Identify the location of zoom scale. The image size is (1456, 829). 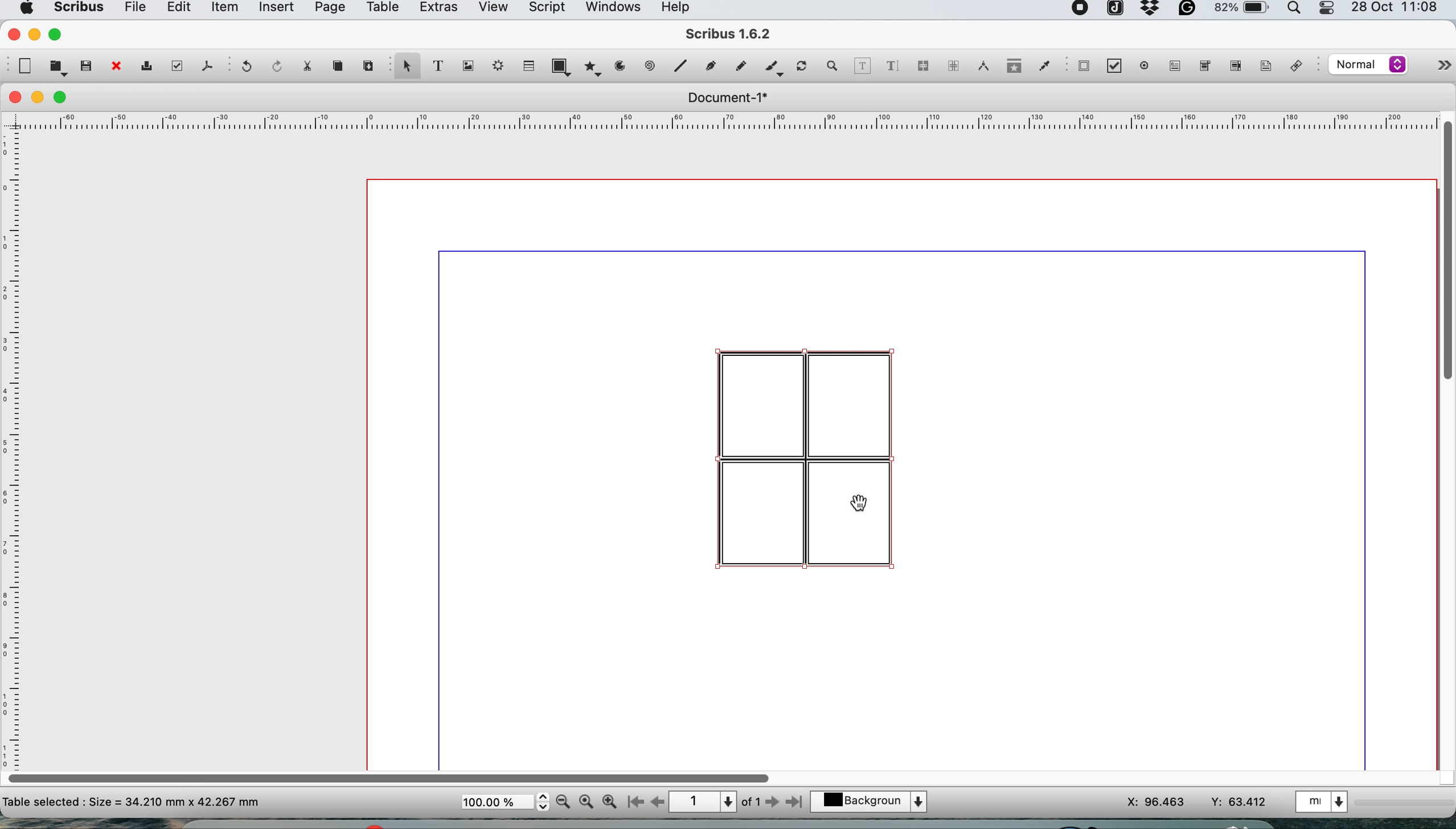
(505, 802).